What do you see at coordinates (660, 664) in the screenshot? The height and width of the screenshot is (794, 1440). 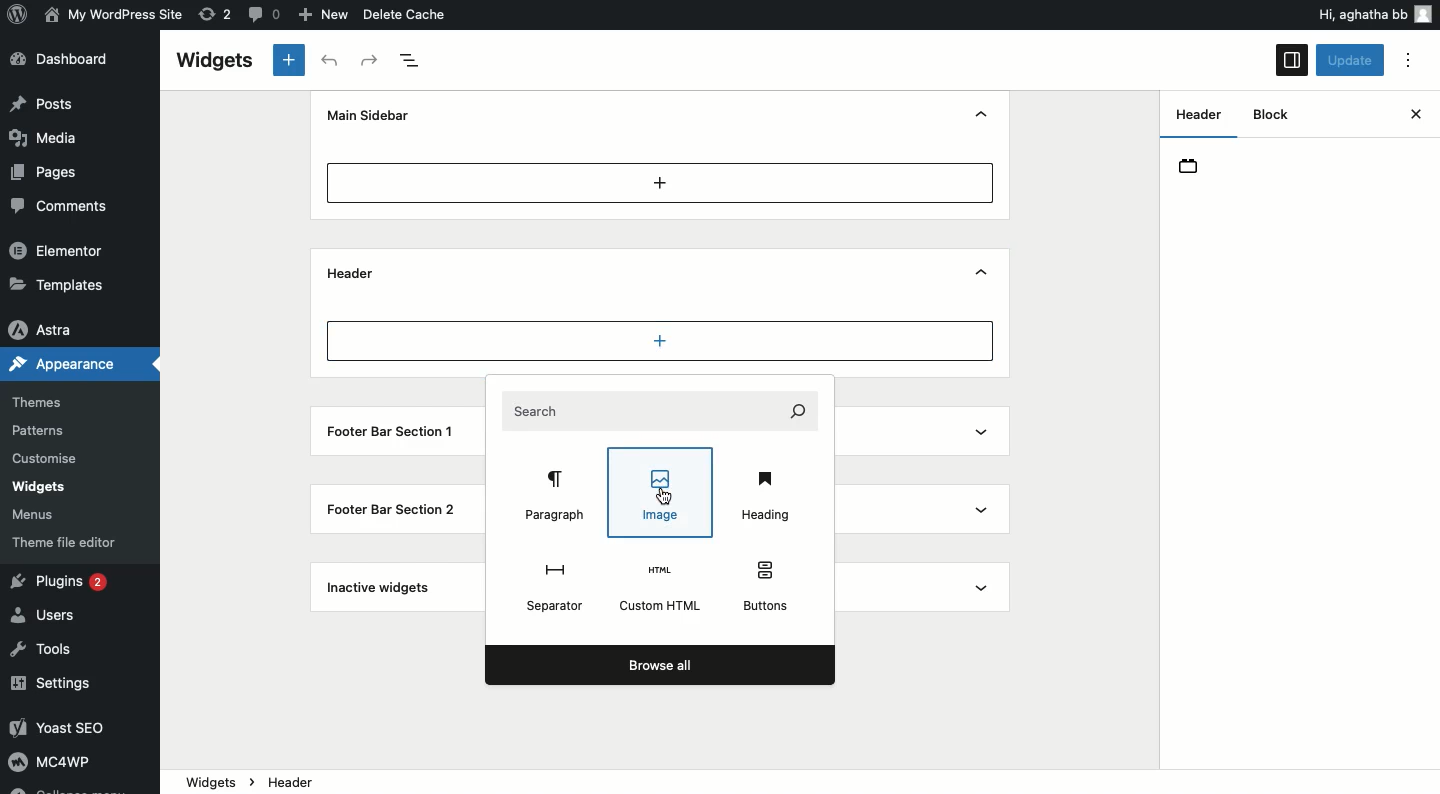 I see `Browse all` at bounding box center [660, 664].